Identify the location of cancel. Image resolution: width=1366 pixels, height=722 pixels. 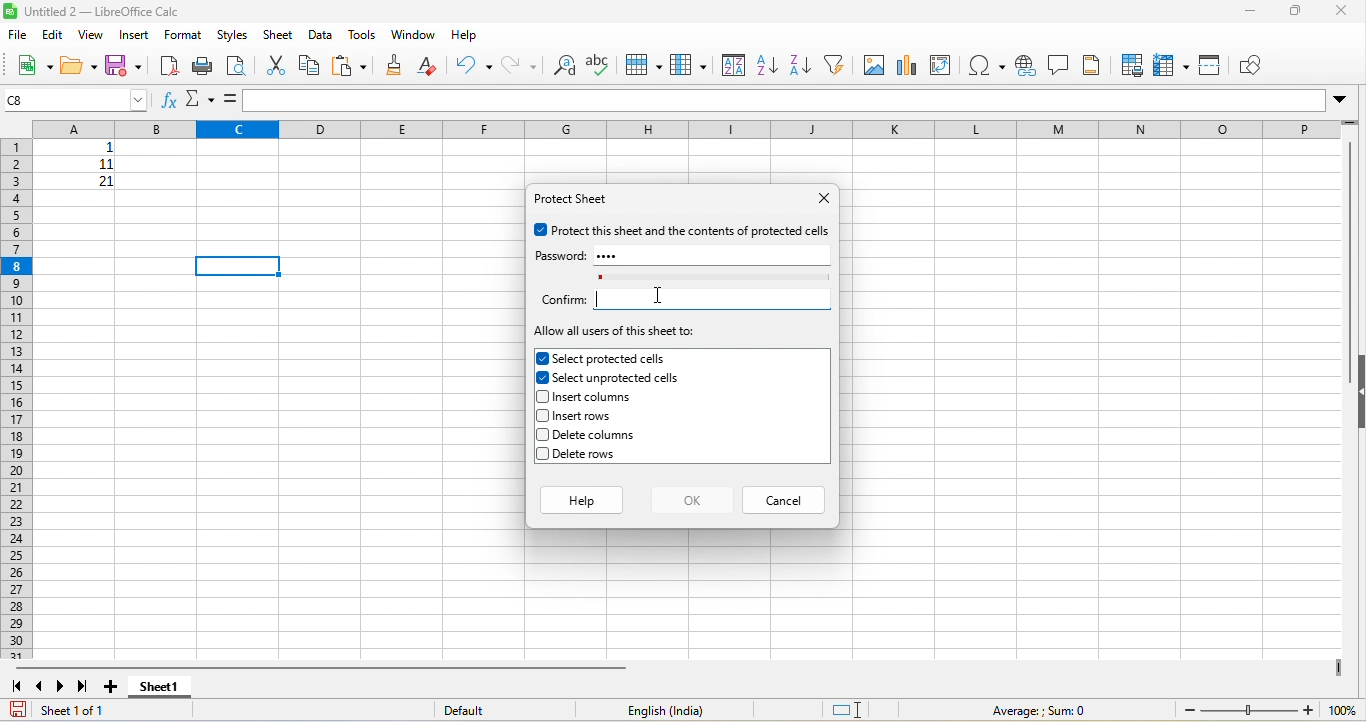
(785, 497).